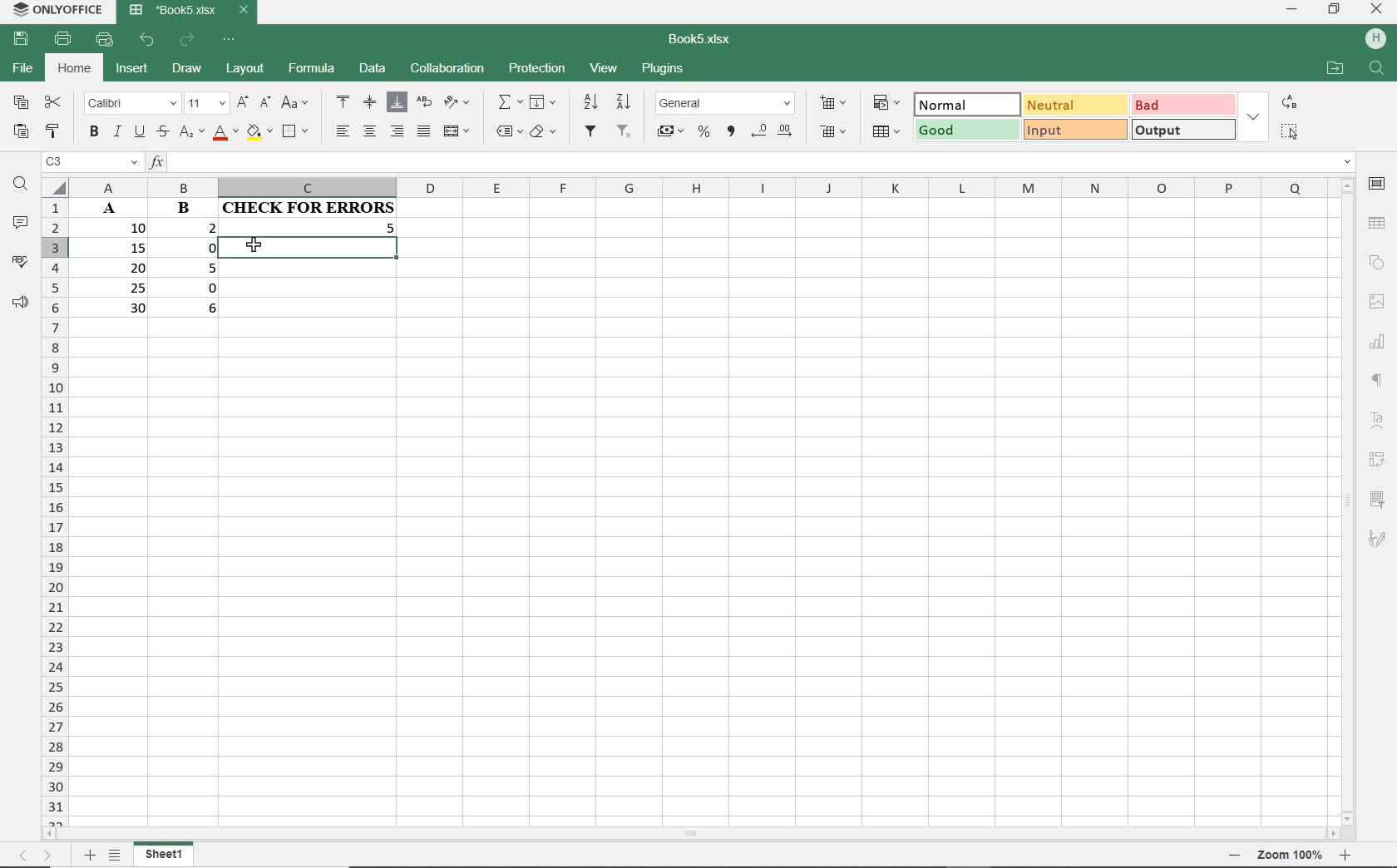  I want to click on CHANGE CASE, so click(296, 103).